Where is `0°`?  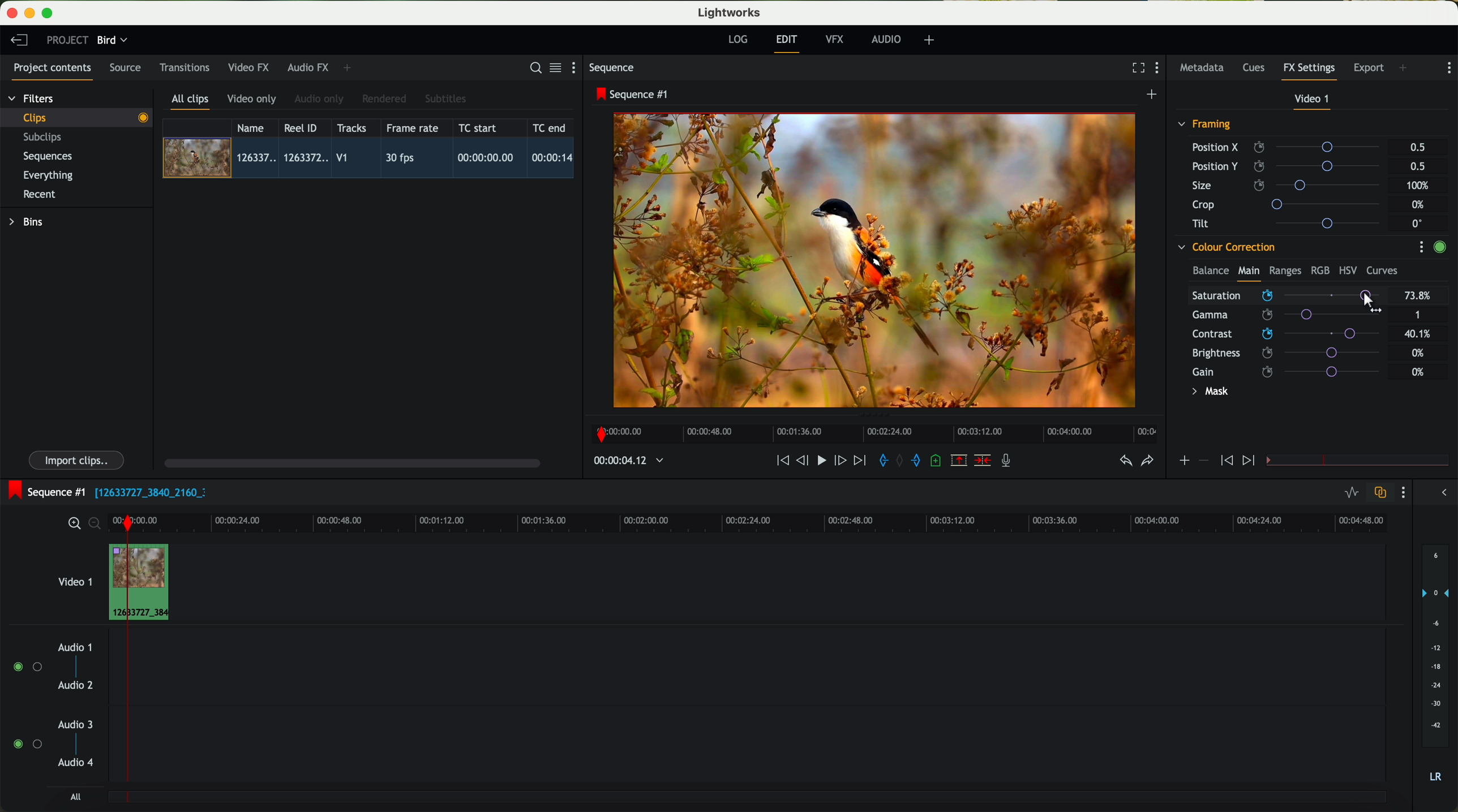
0° is located at coordinates (1418, 223).